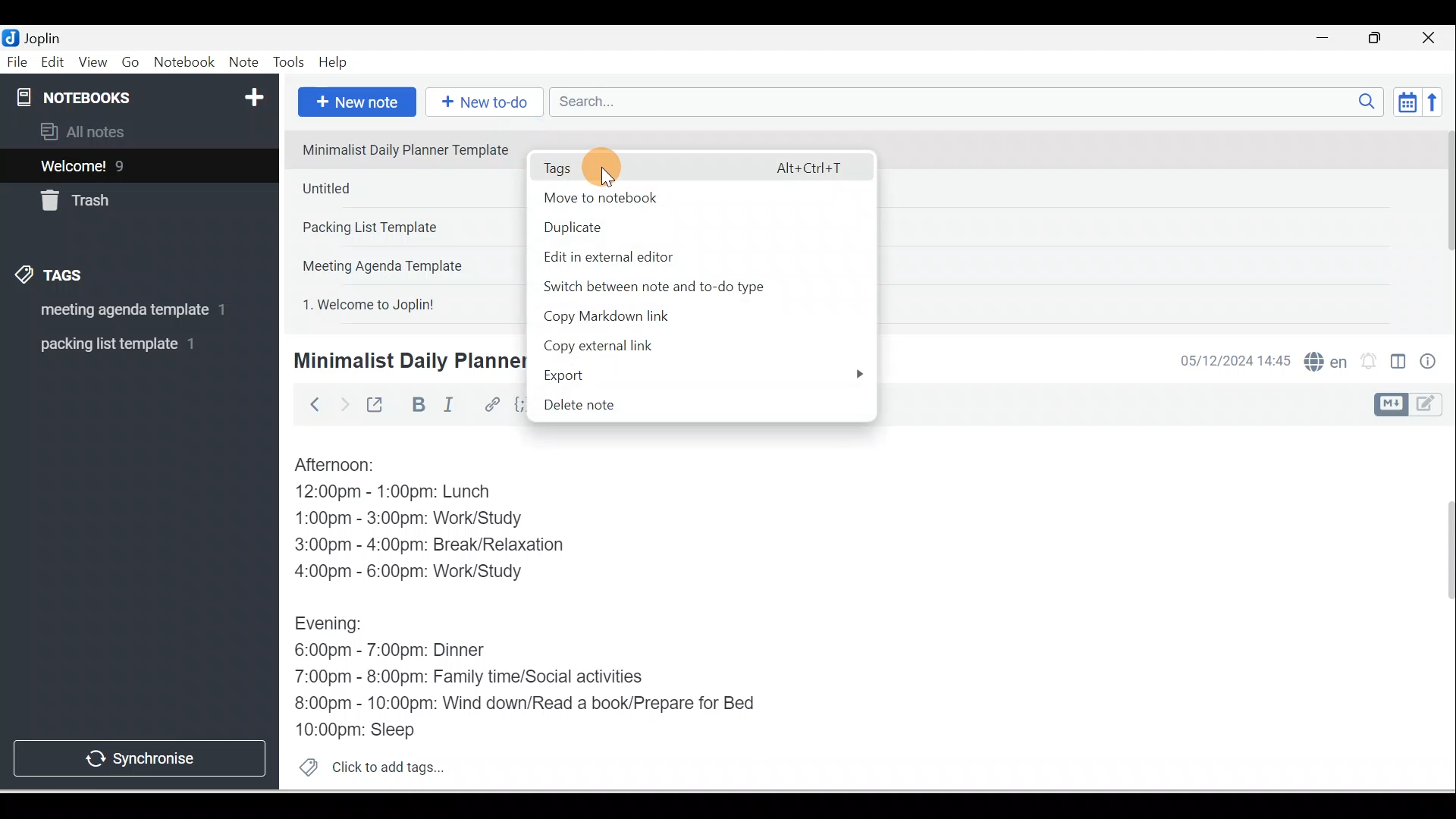 The width and height of the screenshot is (1456, 819). What do you see at coordinates (689, 287) in the screenshot?
I see `Switch between note and to-do type` at bounding box center [689, 287].